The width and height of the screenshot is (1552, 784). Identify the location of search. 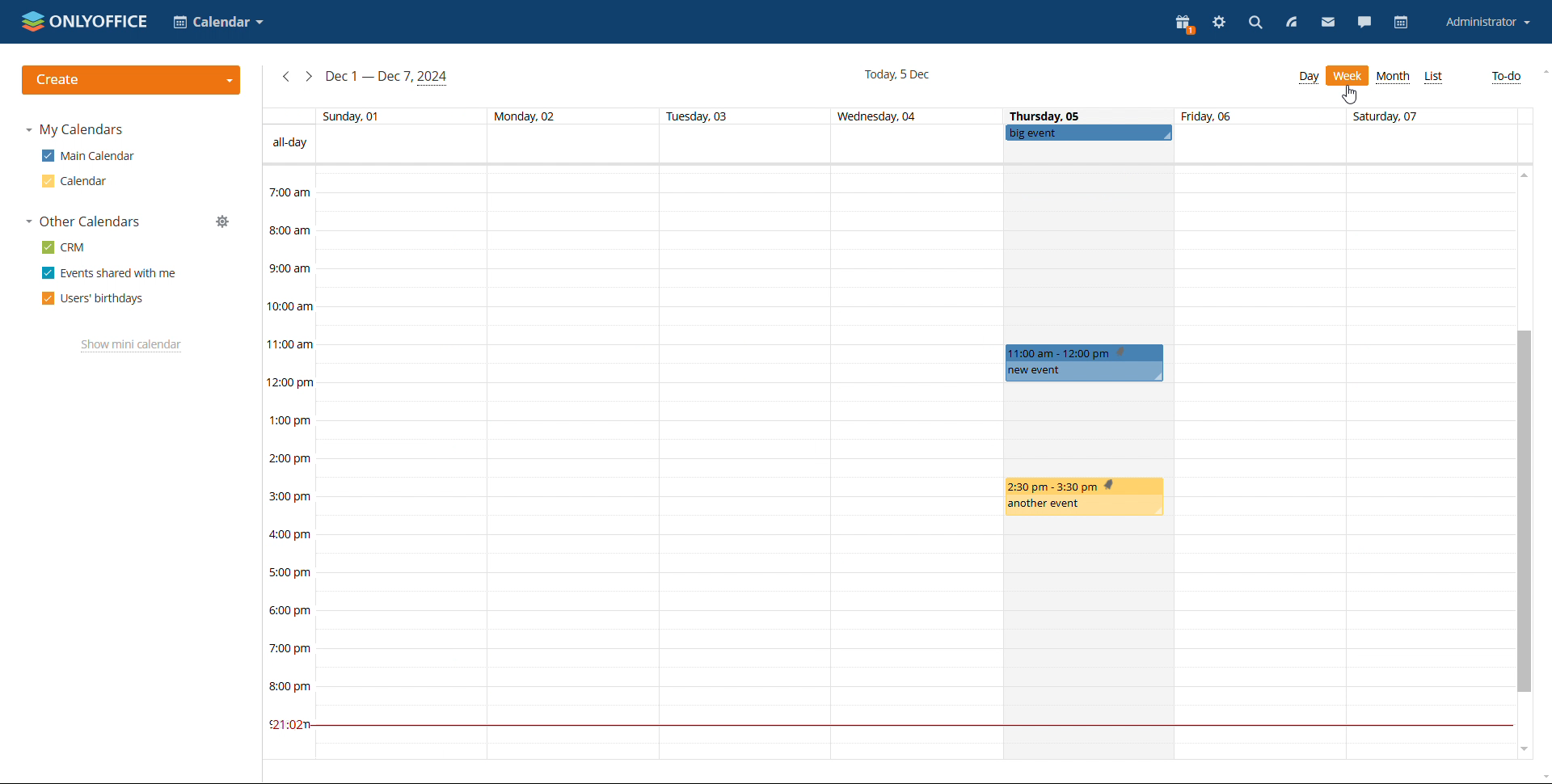
(1254, 21).